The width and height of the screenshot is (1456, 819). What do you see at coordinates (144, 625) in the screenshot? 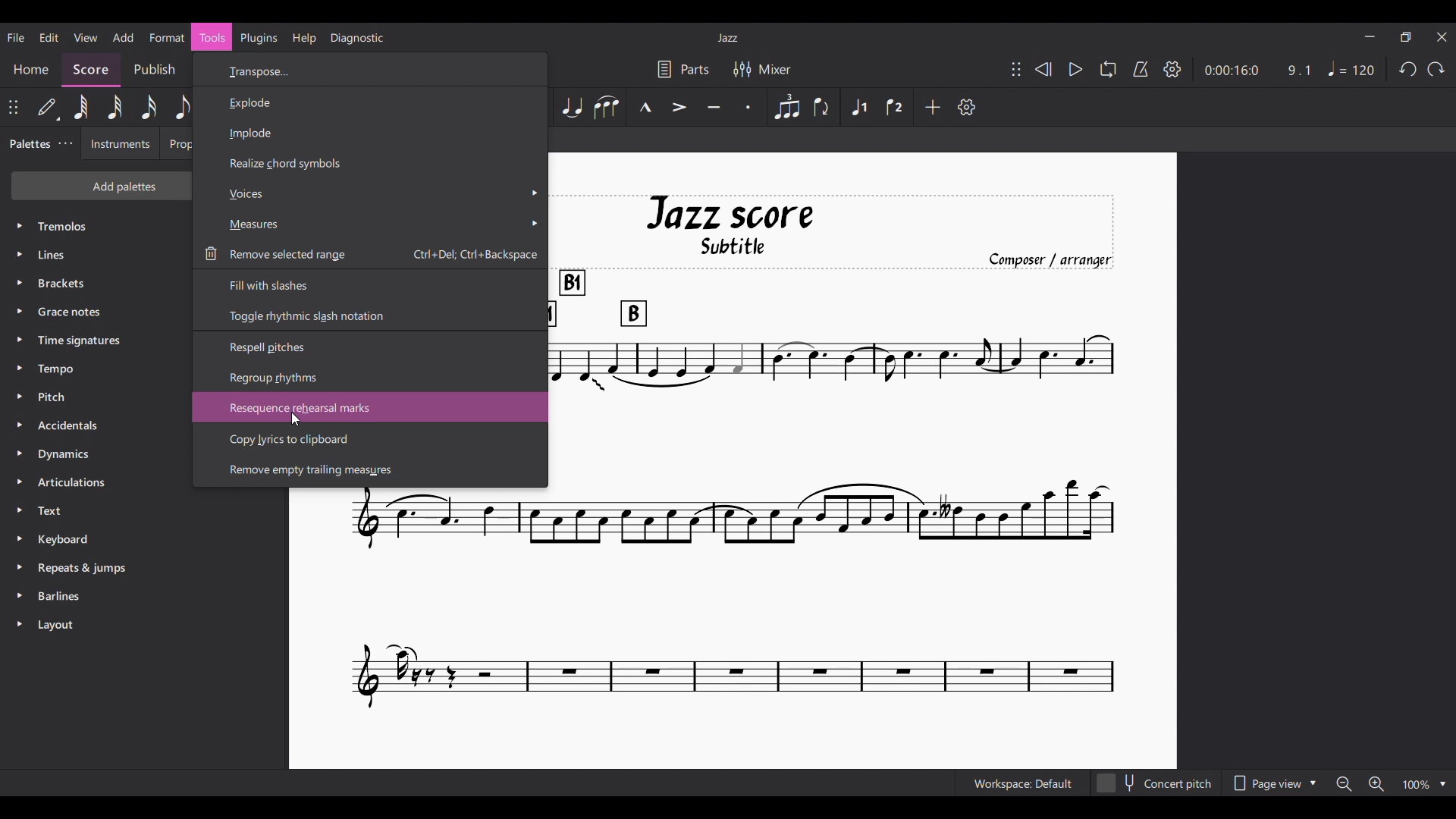
I see `Layout` at bounding box center [144, 625].